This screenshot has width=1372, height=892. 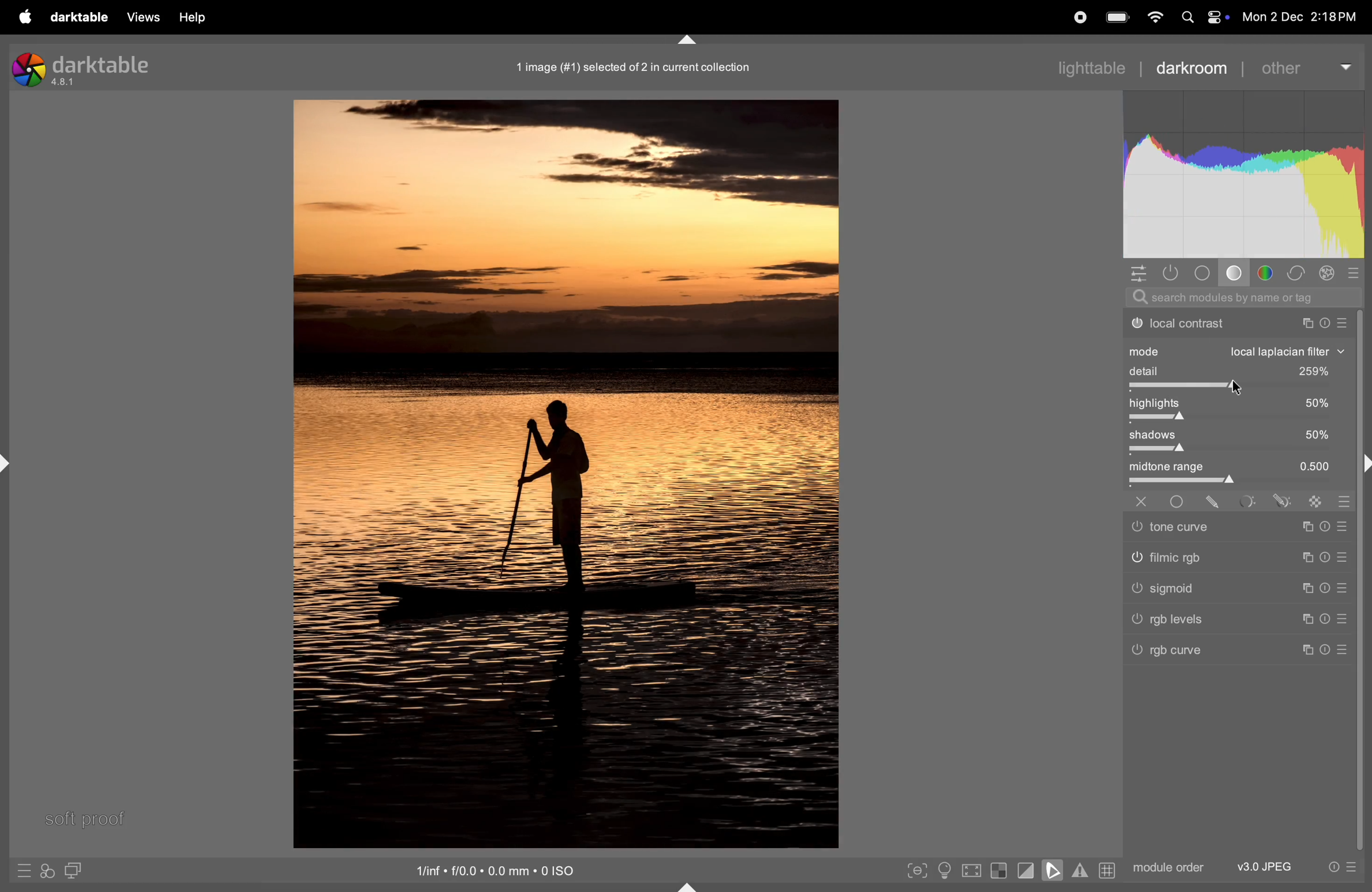 What do you see at coordinates (74, 870) in the screenshot?
I see `display second image` at bounding box center [74, 870].